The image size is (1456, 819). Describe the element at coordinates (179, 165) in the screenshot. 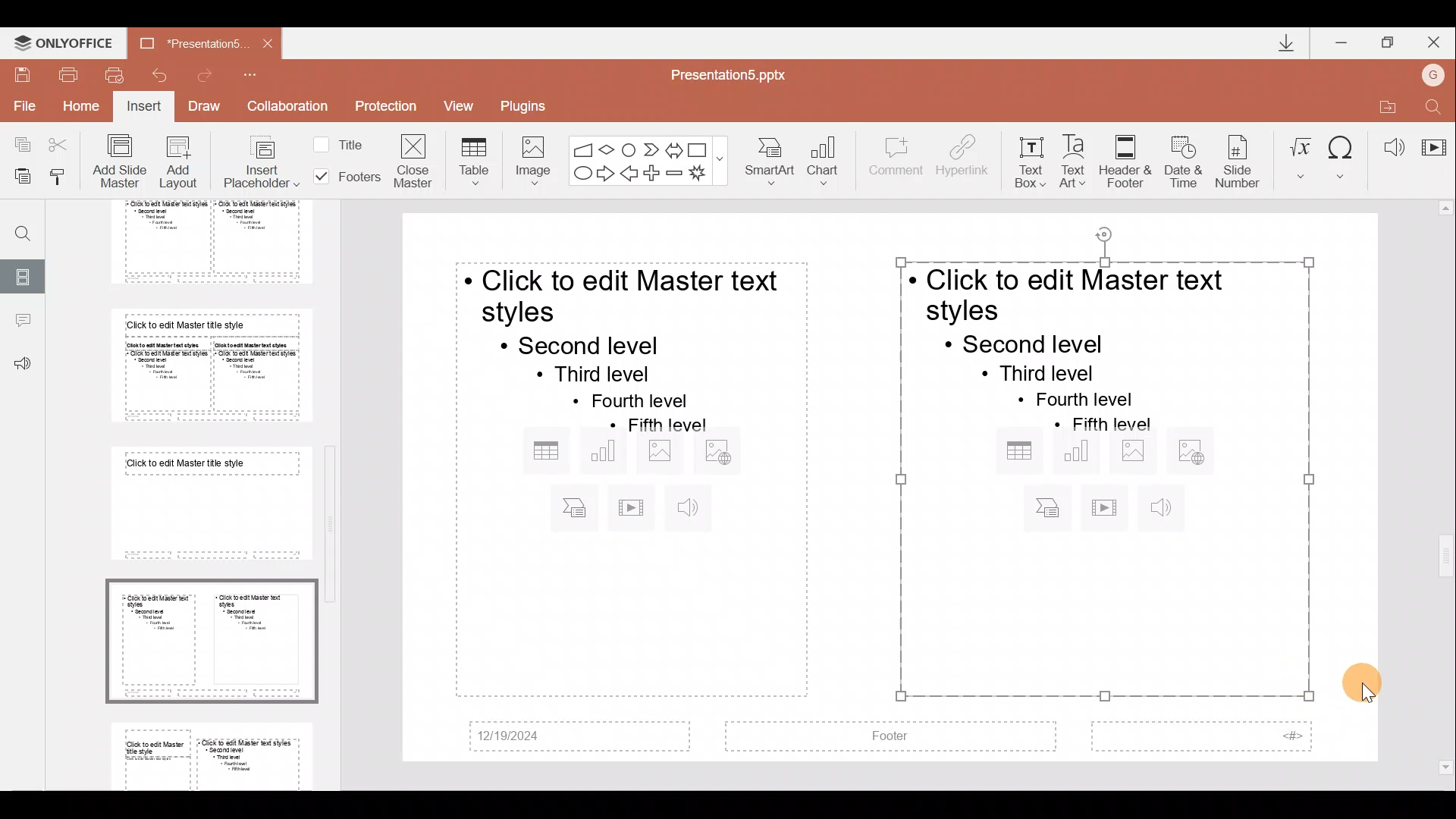

I see `Add layout` at that location.